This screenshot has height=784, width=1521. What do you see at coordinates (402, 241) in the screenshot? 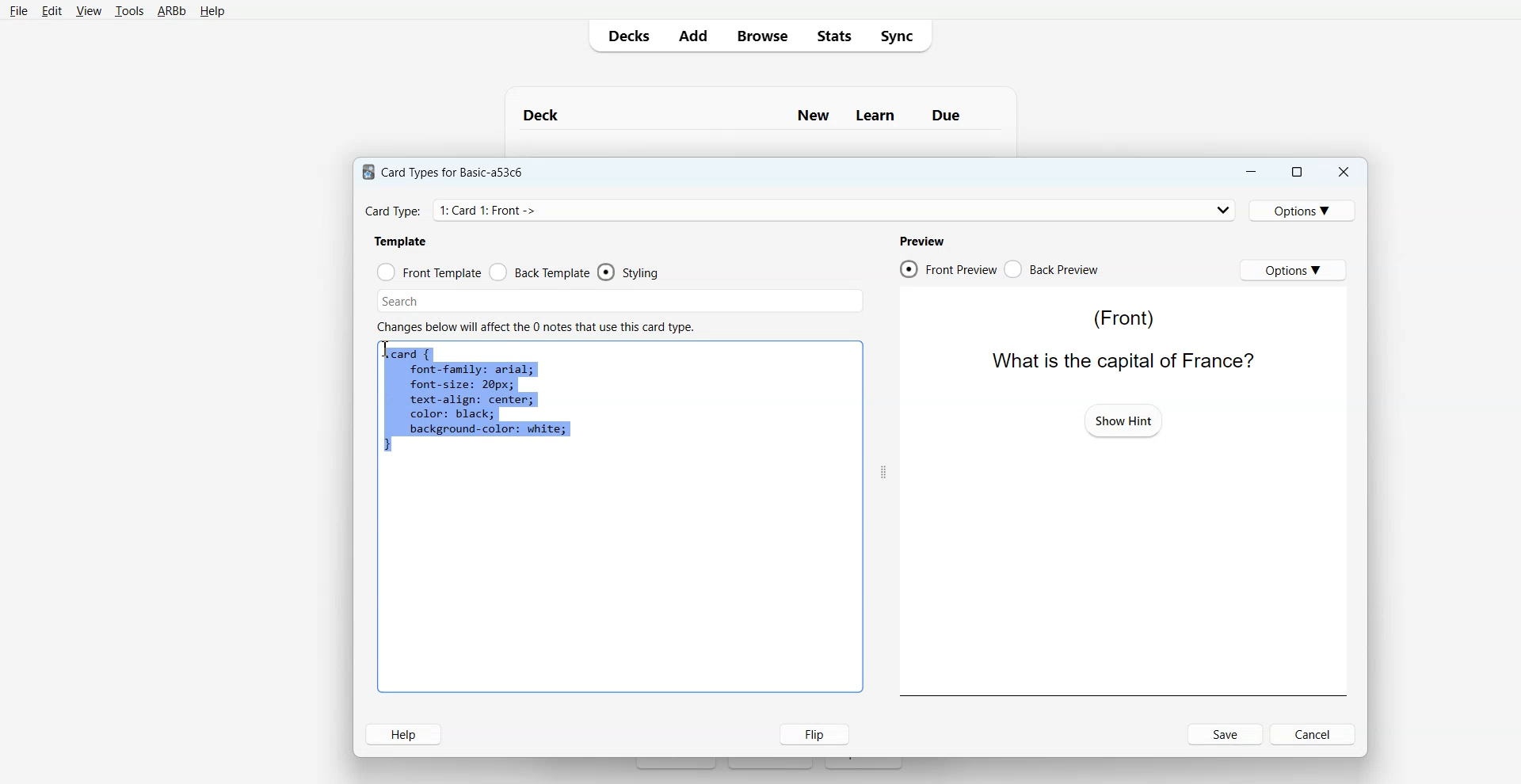
I see `Template` at bounding box center [402, 241].